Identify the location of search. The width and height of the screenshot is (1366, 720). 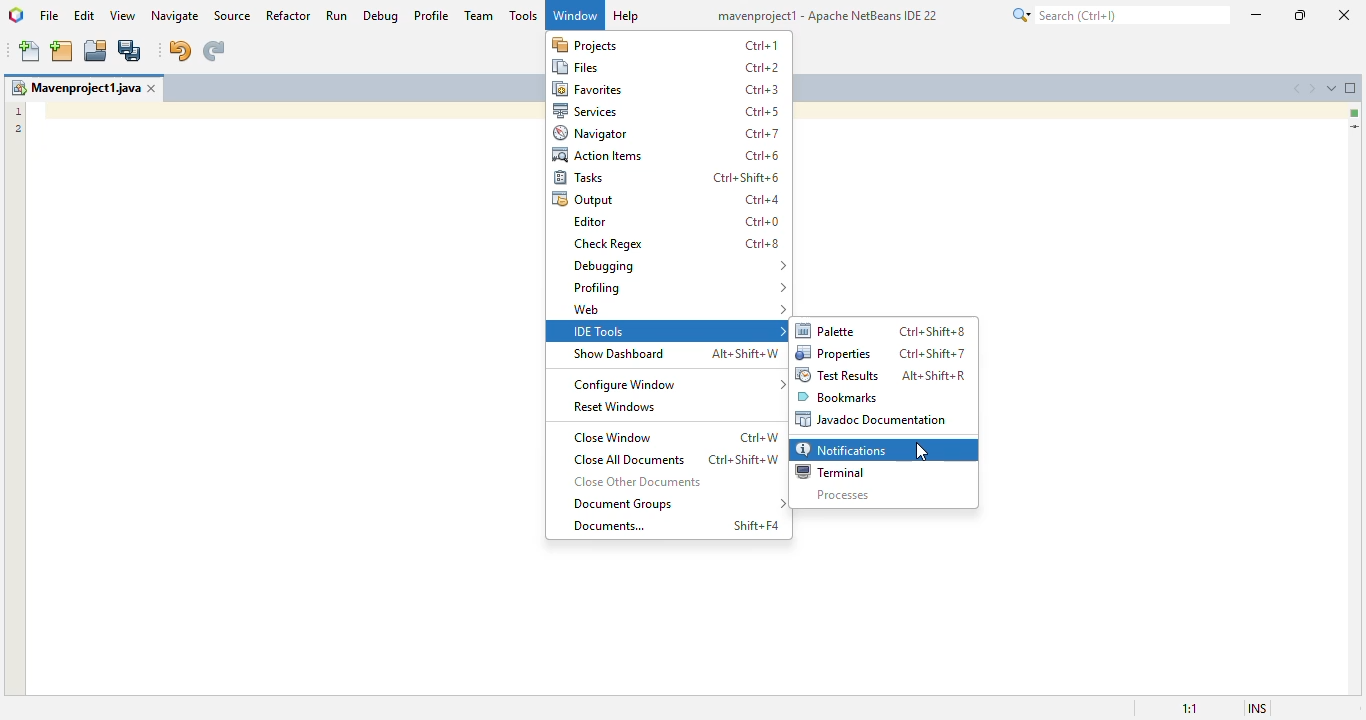
(1120, 14).